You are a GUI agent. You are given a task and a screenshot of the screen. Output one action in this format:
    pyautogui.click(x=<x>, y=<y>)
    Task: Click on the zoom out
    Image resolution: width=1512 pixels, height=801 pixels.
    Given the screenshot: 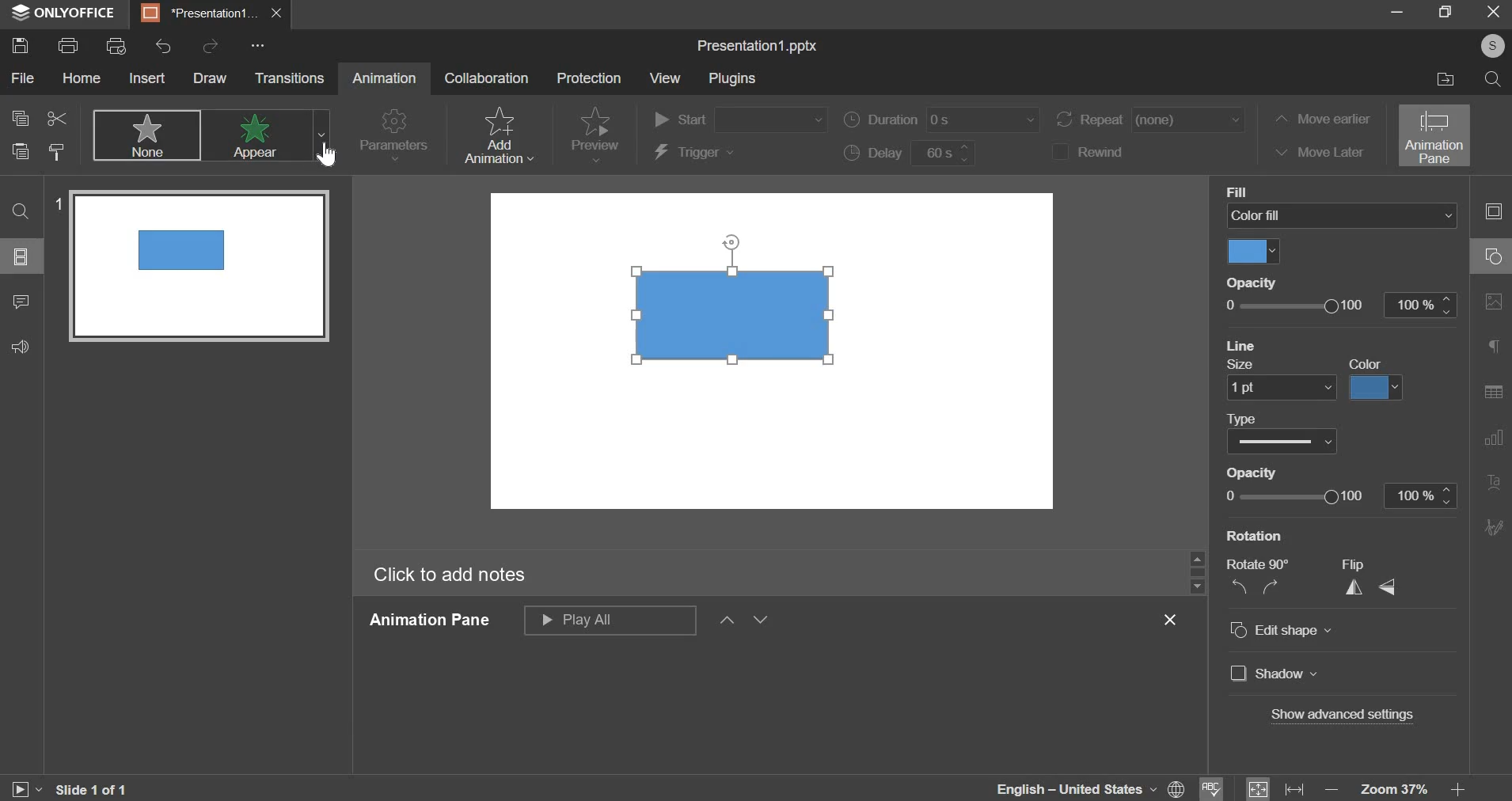 What is the action you would take?
    pyautogui.click(x=1330, y=789)
    